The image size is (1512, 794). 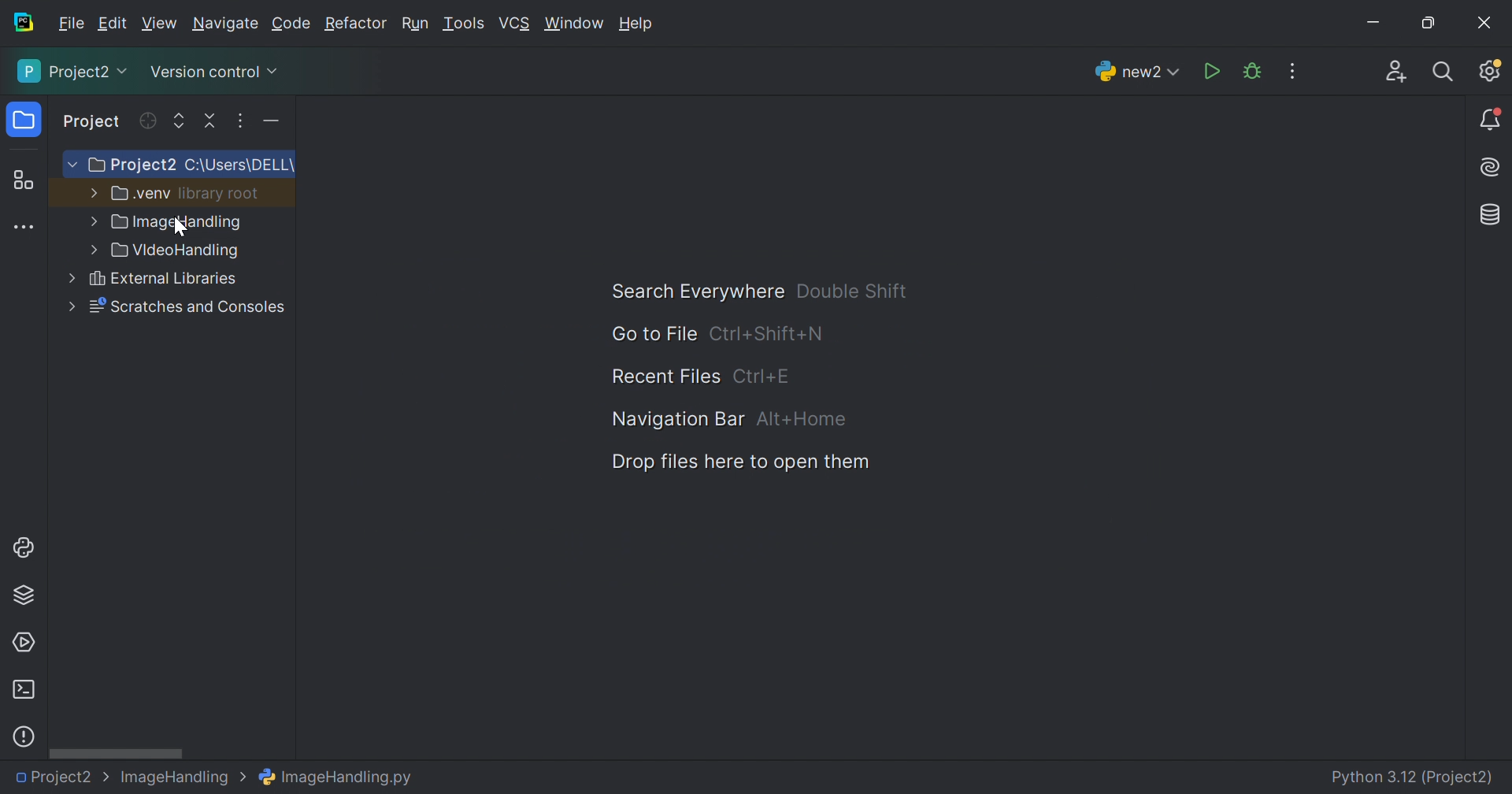 I want to click on More actions, so click(x=267, y=124).